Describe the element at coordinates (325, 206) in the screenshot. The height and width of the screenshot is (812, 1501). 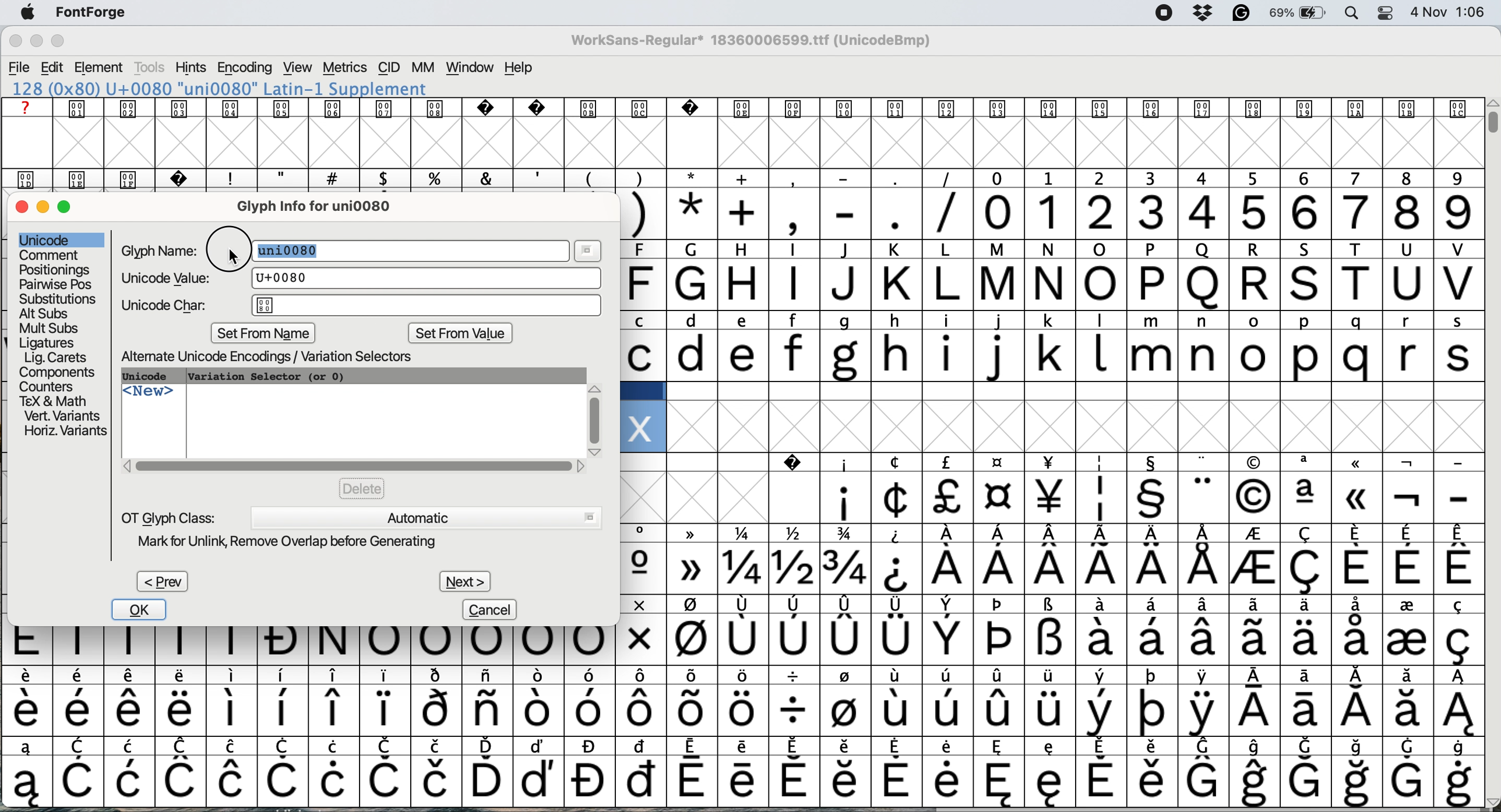
I see `glyph info` at that location.